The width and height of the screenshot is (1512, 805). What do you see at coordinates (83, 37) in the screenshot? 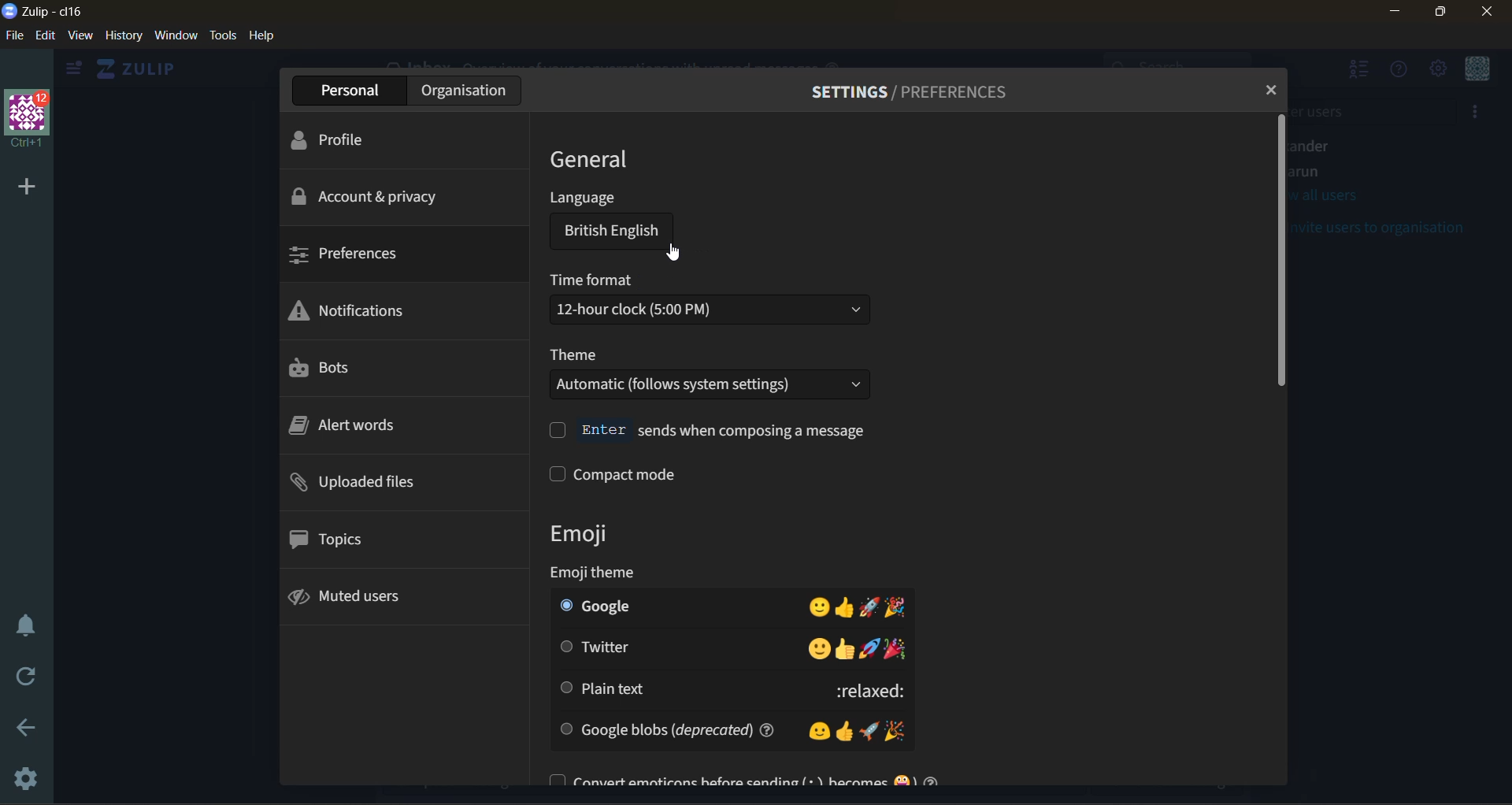
I see `view` at bounding box center [83, 37].